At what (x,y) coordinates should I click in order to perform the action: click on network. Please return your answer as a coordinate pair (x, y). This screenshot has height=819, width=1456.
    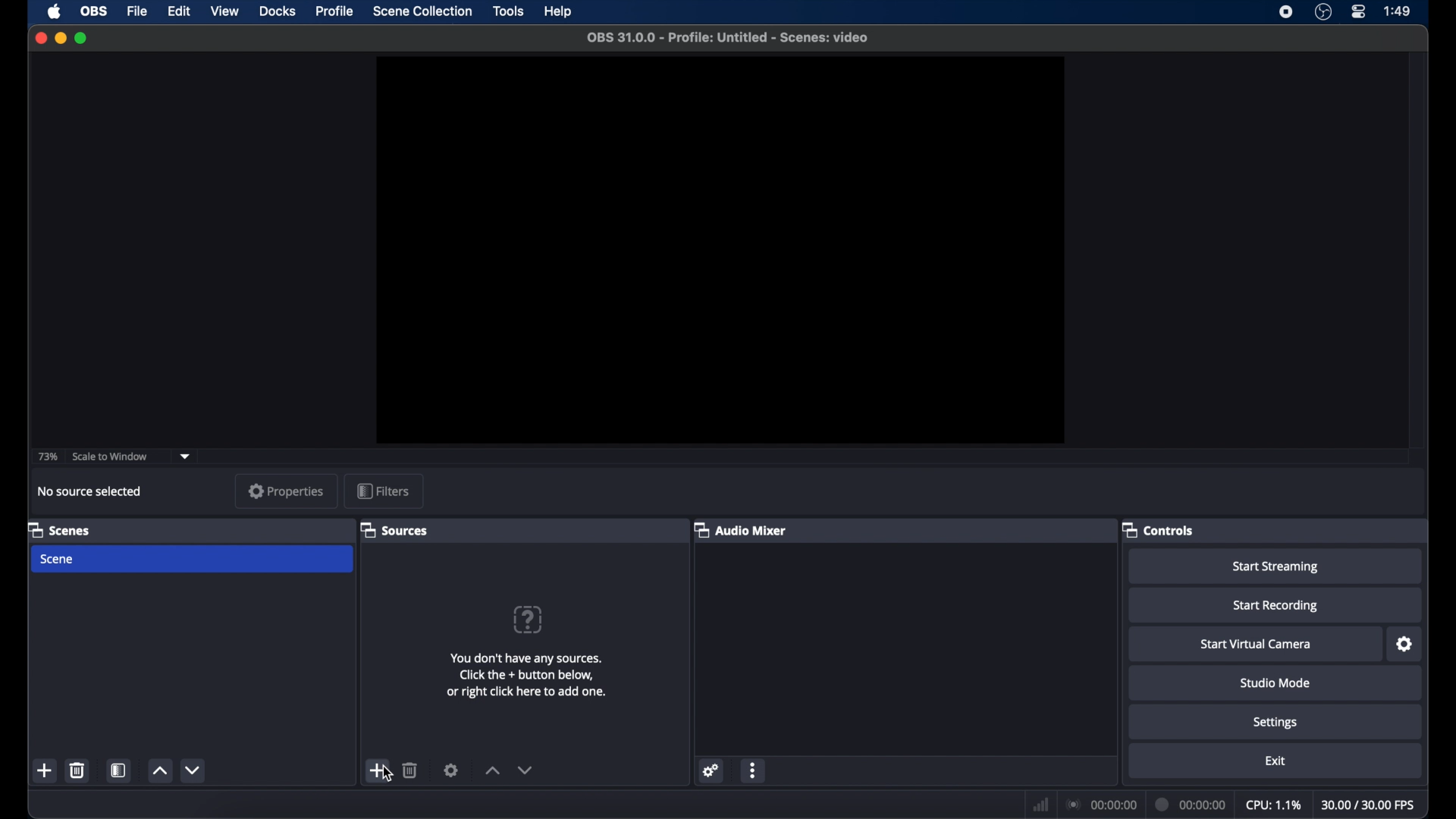
    Looking at the image, I should click on (1041, 803).